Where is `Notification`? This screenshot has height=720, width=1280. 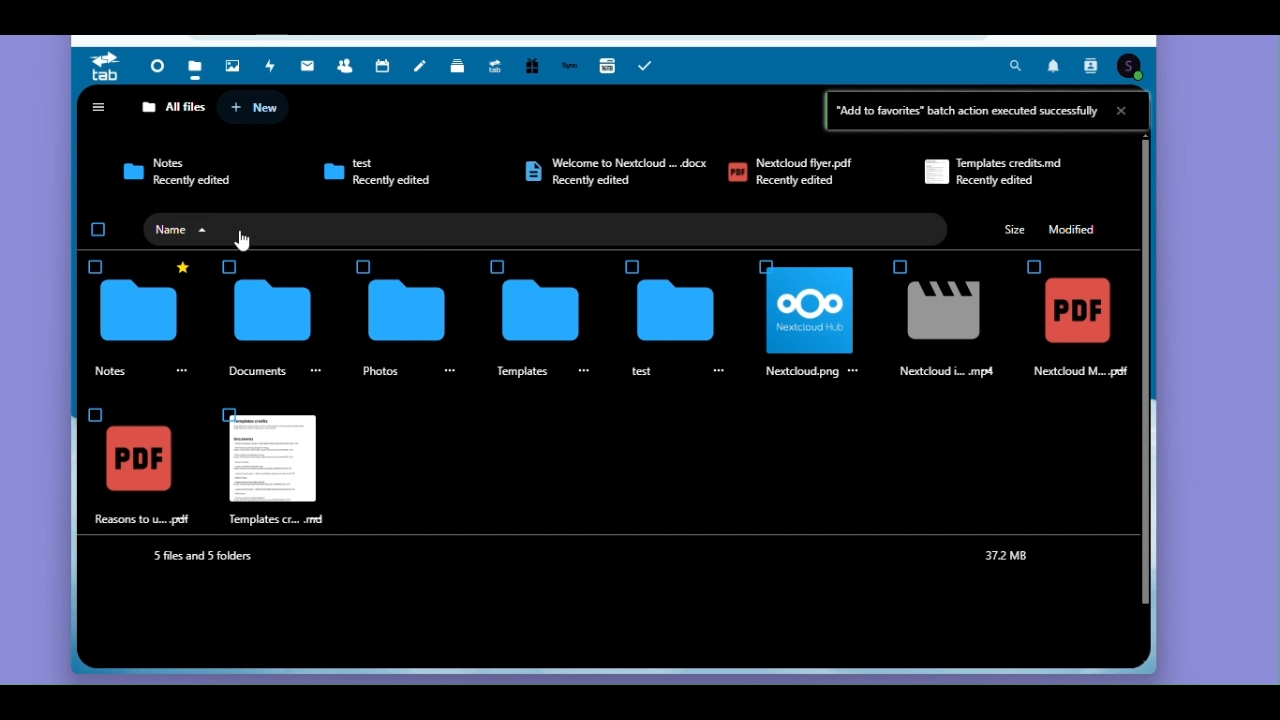
Notification is located at coordinates (1051, 66).